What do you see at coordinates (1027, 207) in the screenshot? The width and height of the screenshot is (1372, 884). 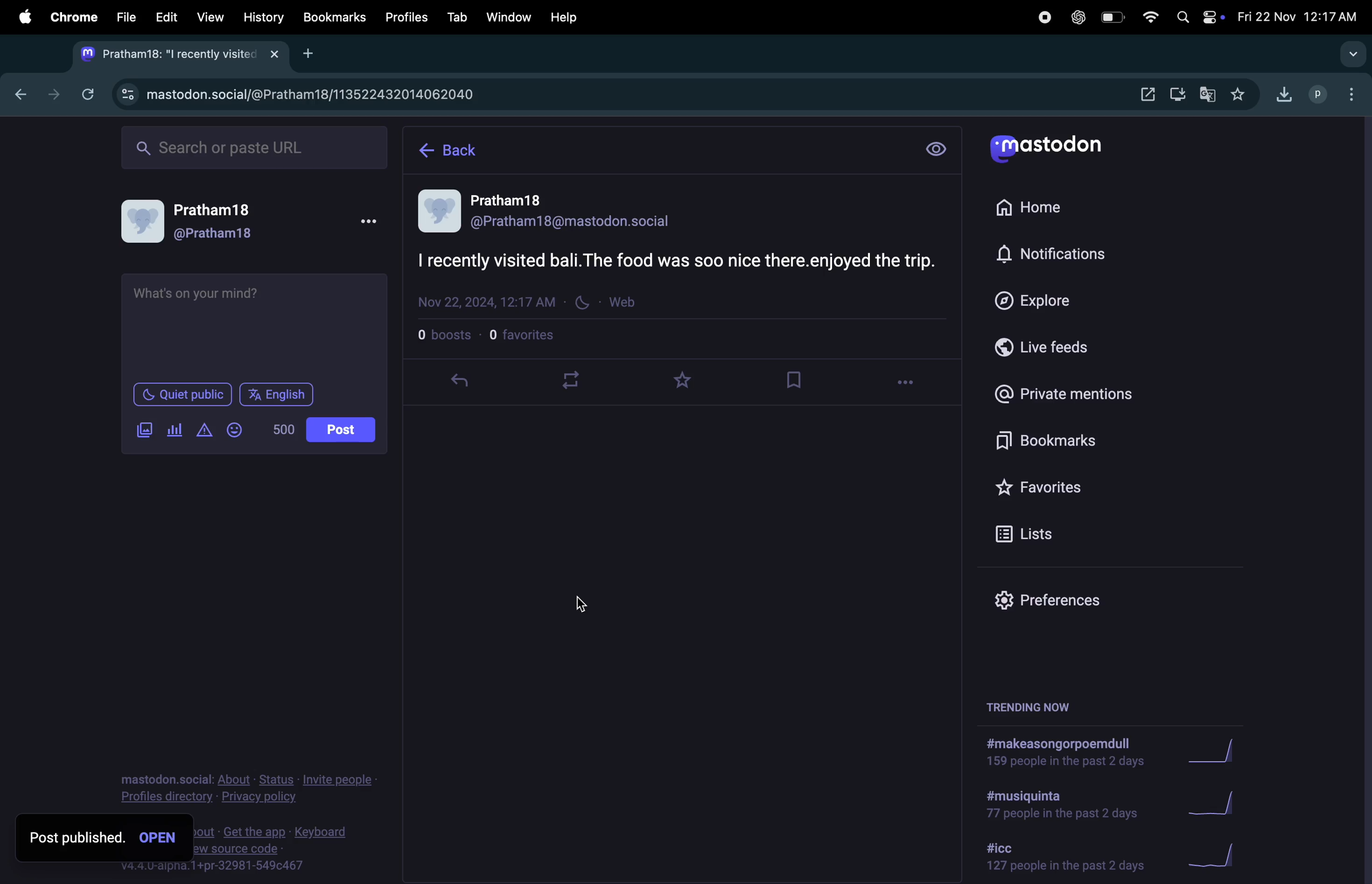 I see `home` at bounding box center [1027, 207].